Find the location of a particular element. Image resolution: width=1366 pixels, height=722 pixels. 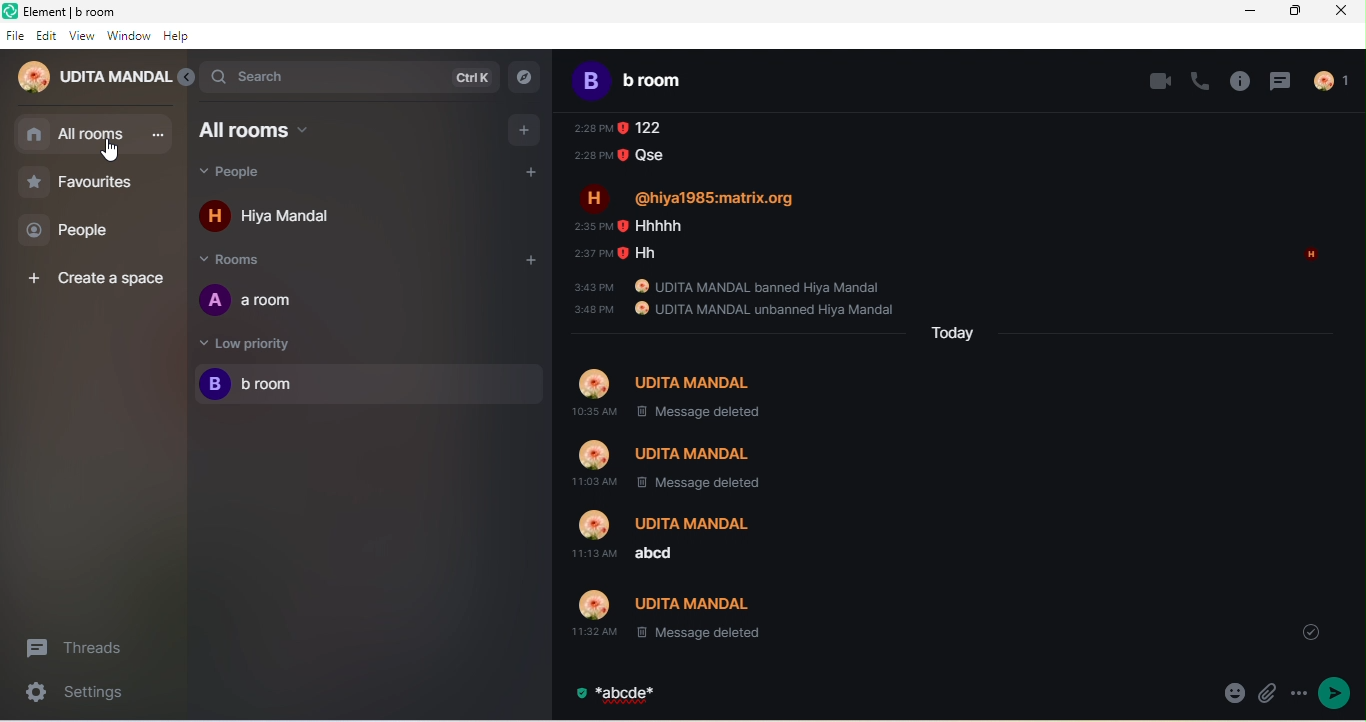

favourites is located at coordinates (94, 181).